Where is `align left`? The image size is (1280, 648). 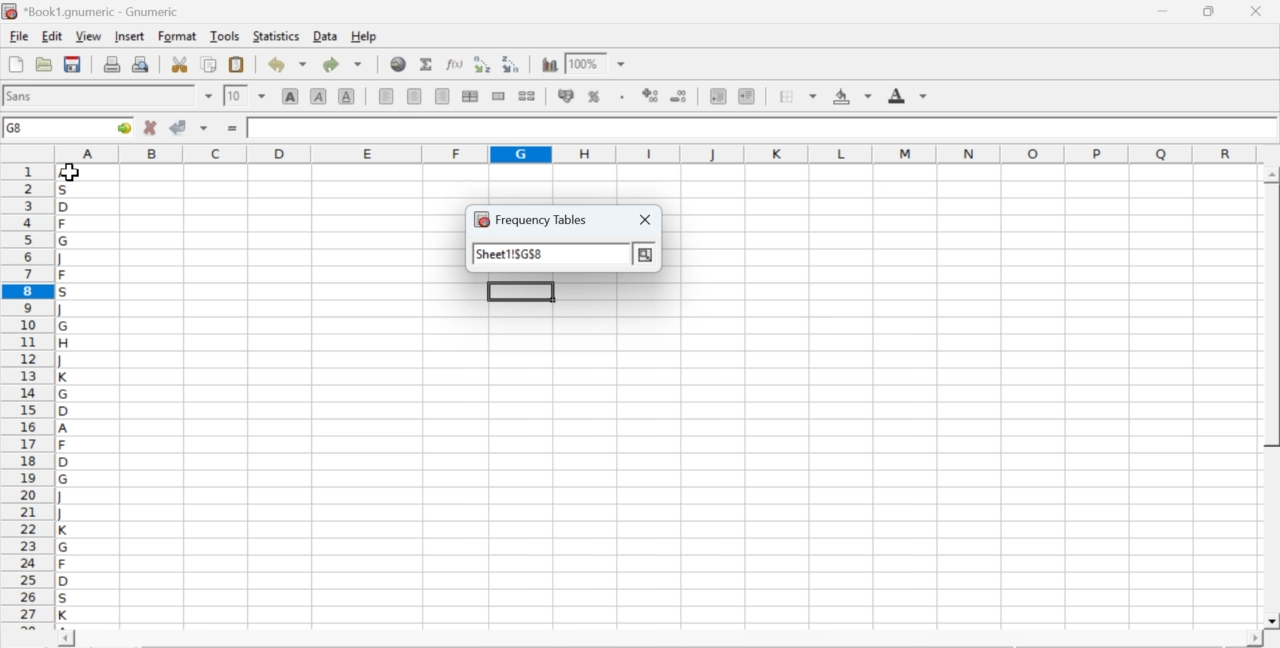 align left is located at coordinates (386, 94).